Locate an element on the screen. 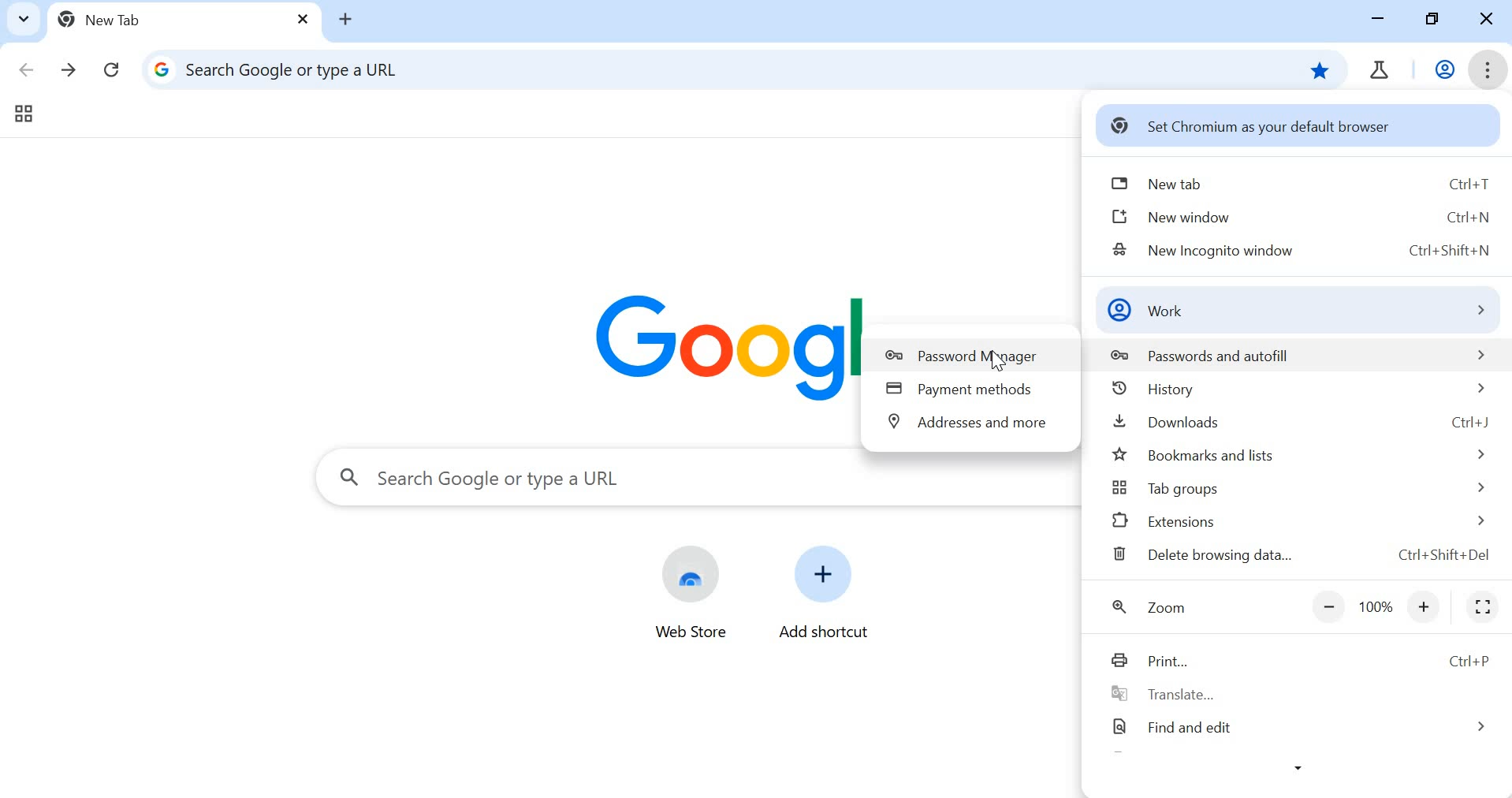  Print is located at coordinates (1295, 656).